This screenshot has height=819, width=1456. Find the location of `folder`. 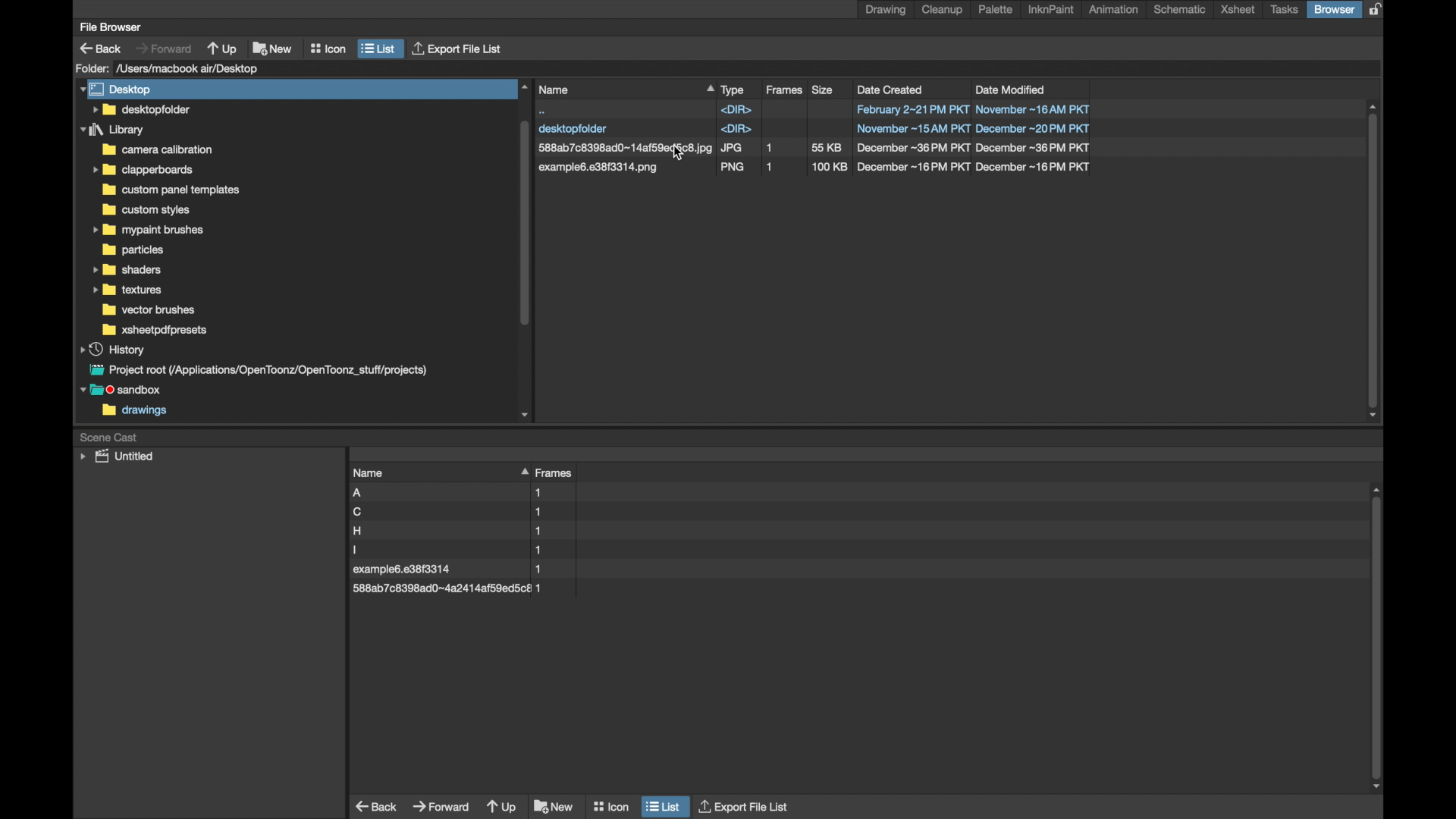

folder is located at coordinates (143, 170).